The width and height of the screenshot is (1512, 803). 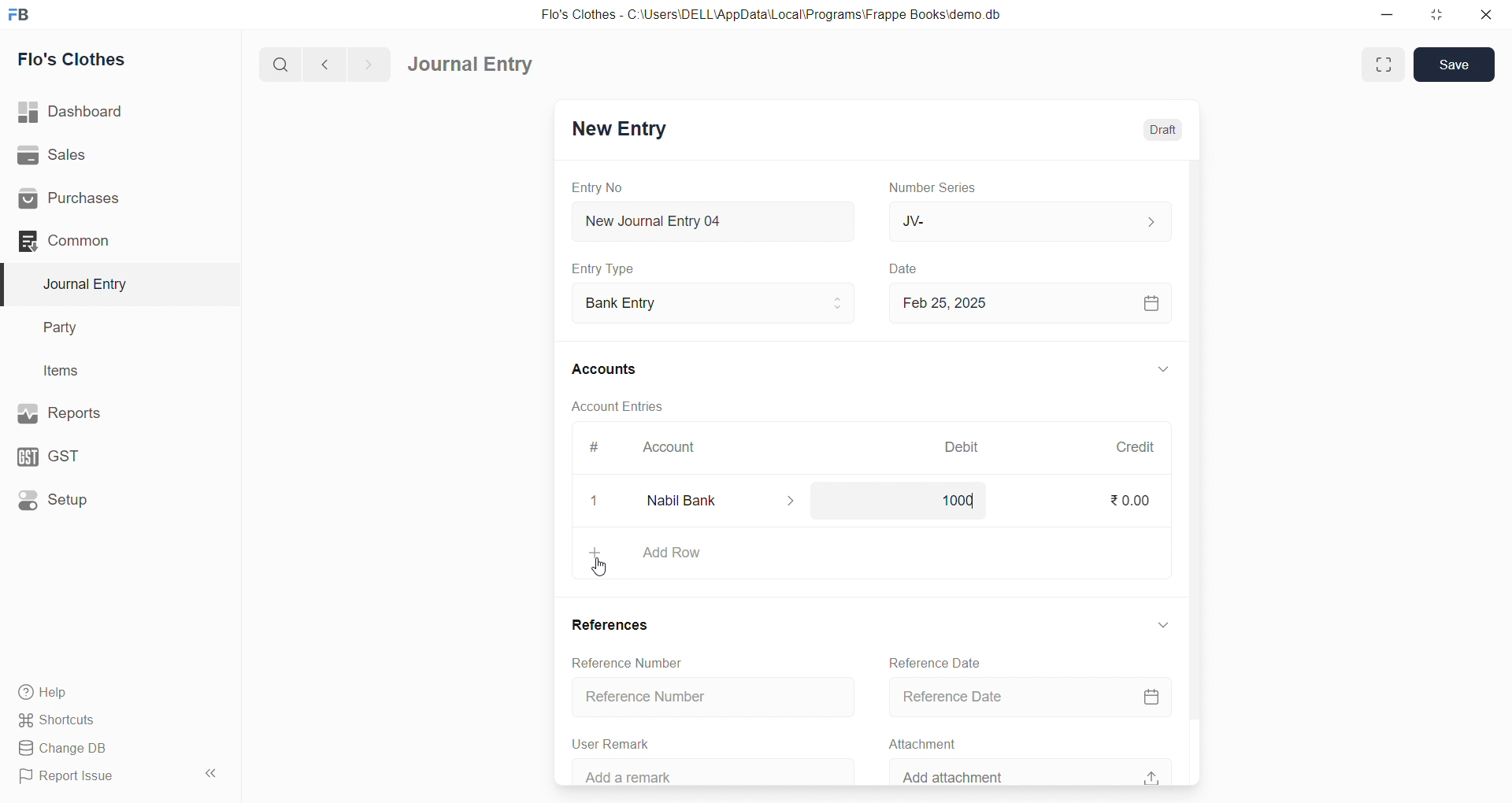 I want to click on close, so click(x=587, y=500).